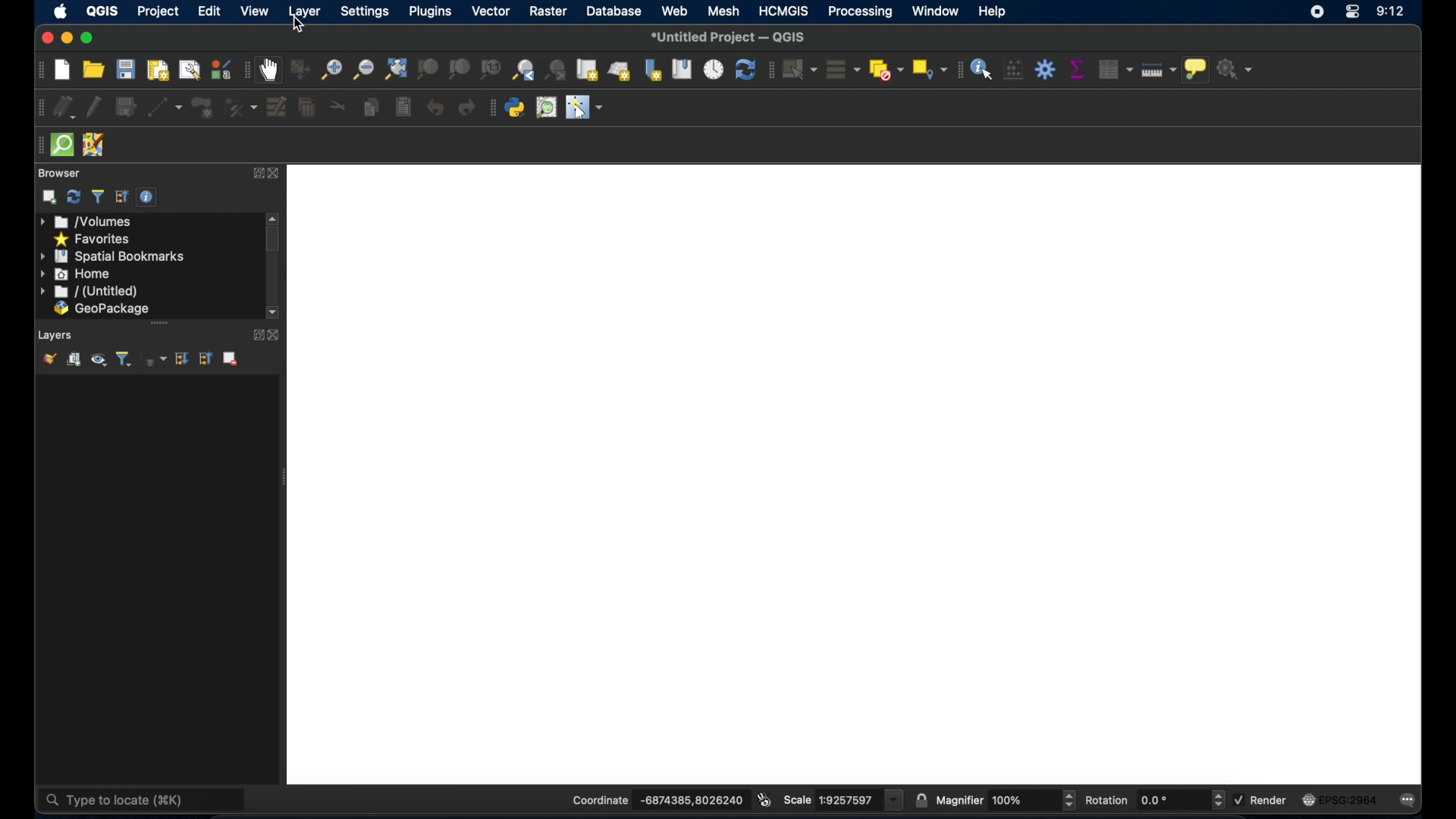  I want to click on HCMGIS, so click(785, 11).